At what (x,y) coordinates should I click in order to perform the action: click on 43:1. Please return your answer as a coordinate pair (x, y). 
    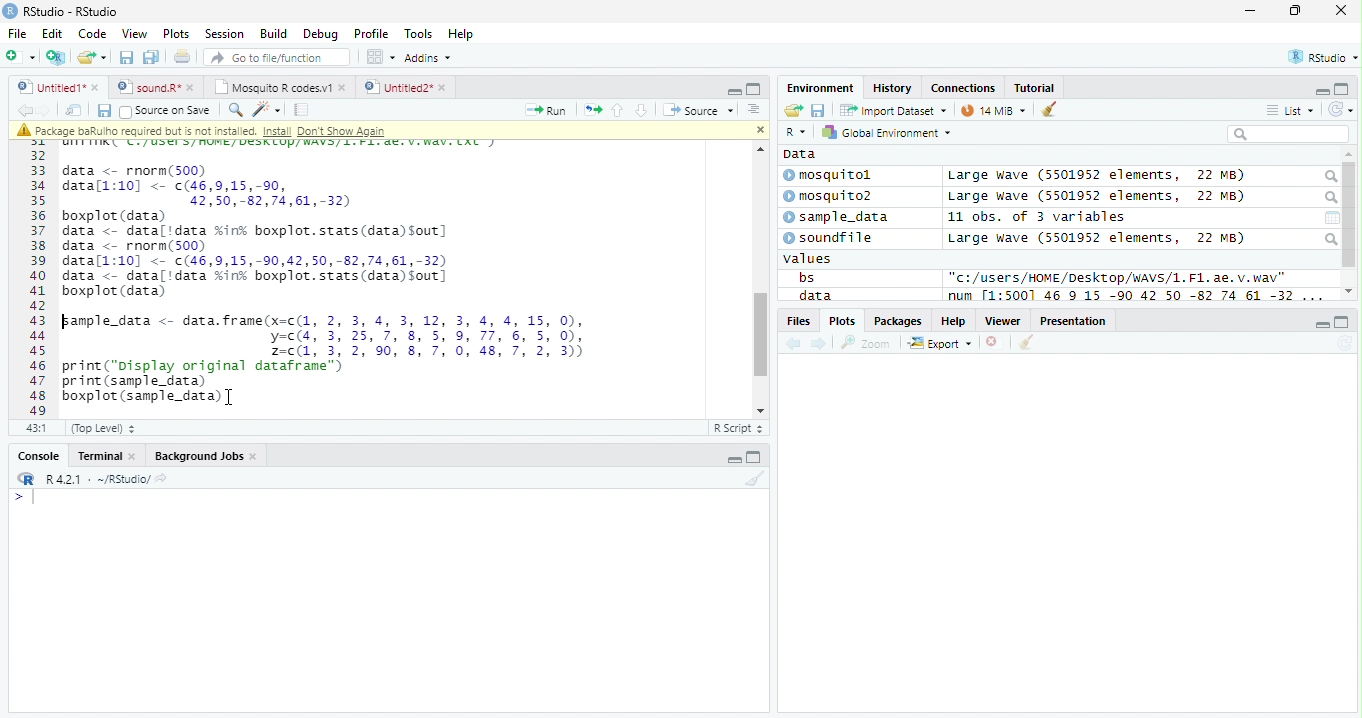
    Looking at the image, I should click on (36, 427).